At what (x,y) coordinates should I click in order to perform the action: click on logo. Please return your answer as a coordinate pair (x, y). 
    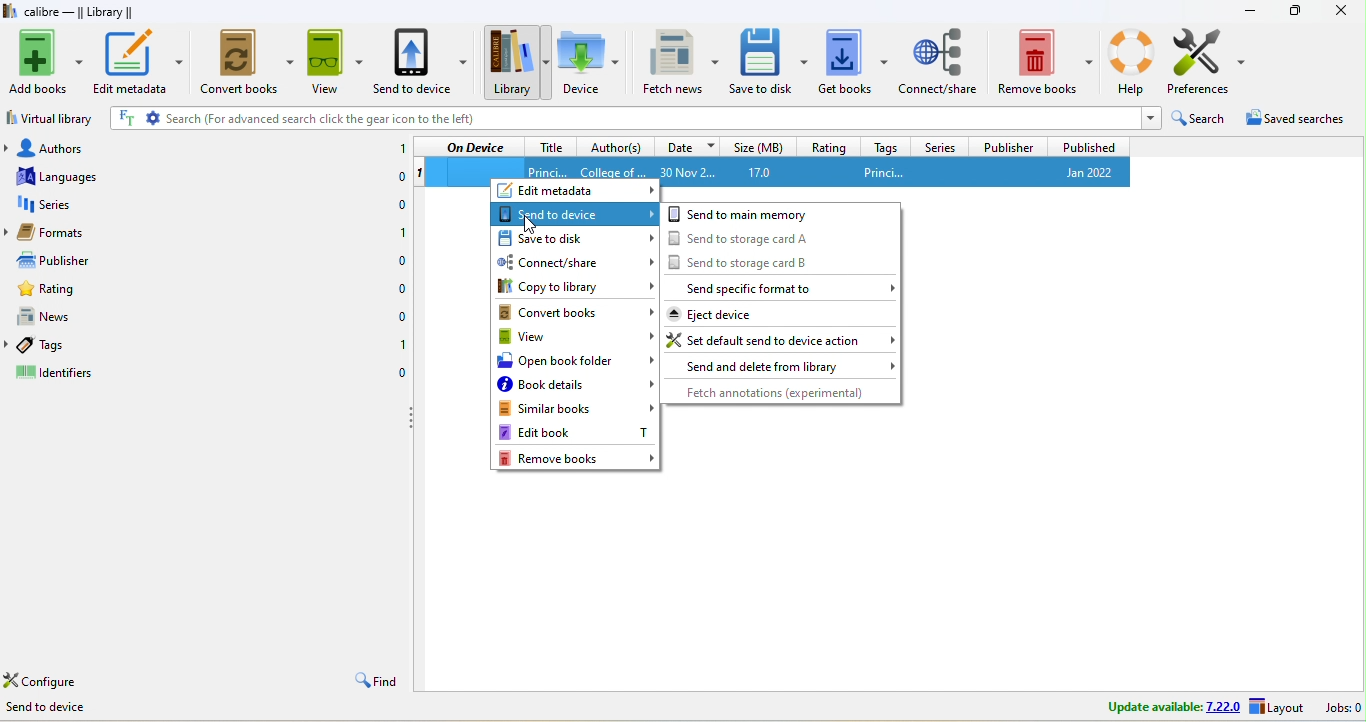
    Looking at the image, I should click on (10, 11).